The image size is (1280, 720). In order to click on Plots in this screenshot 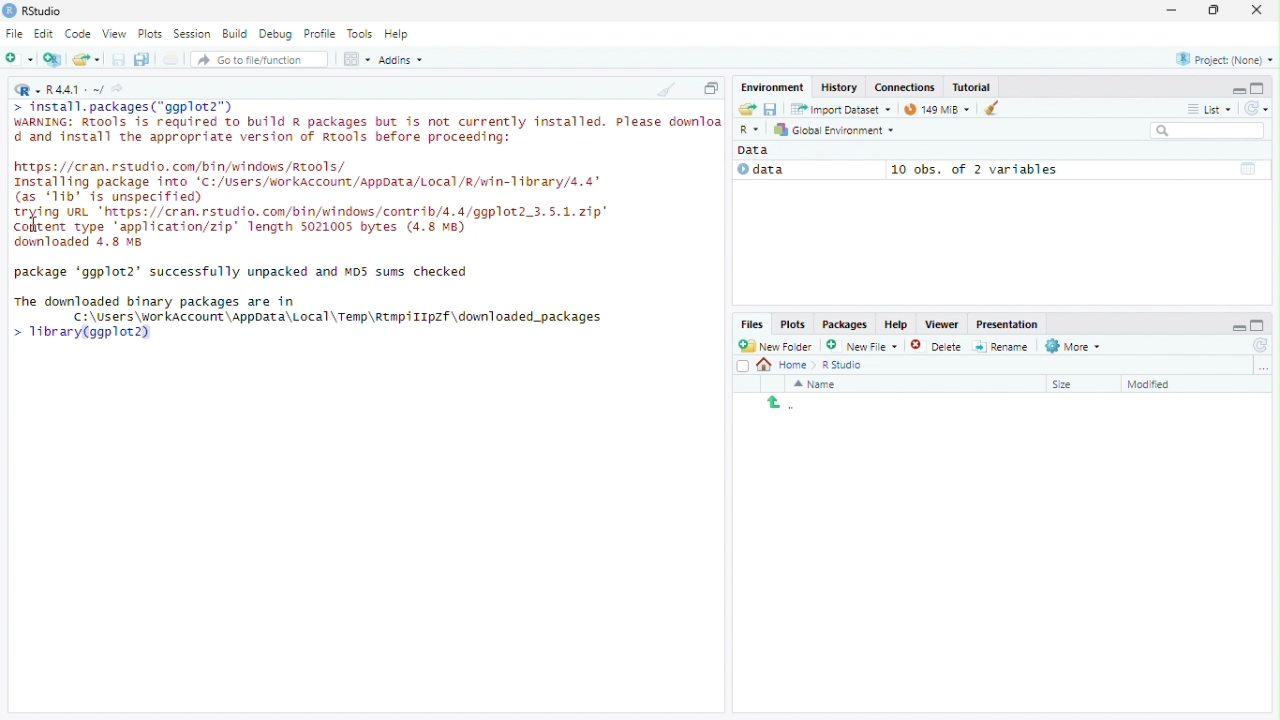, I will do `click(792, 325)`.